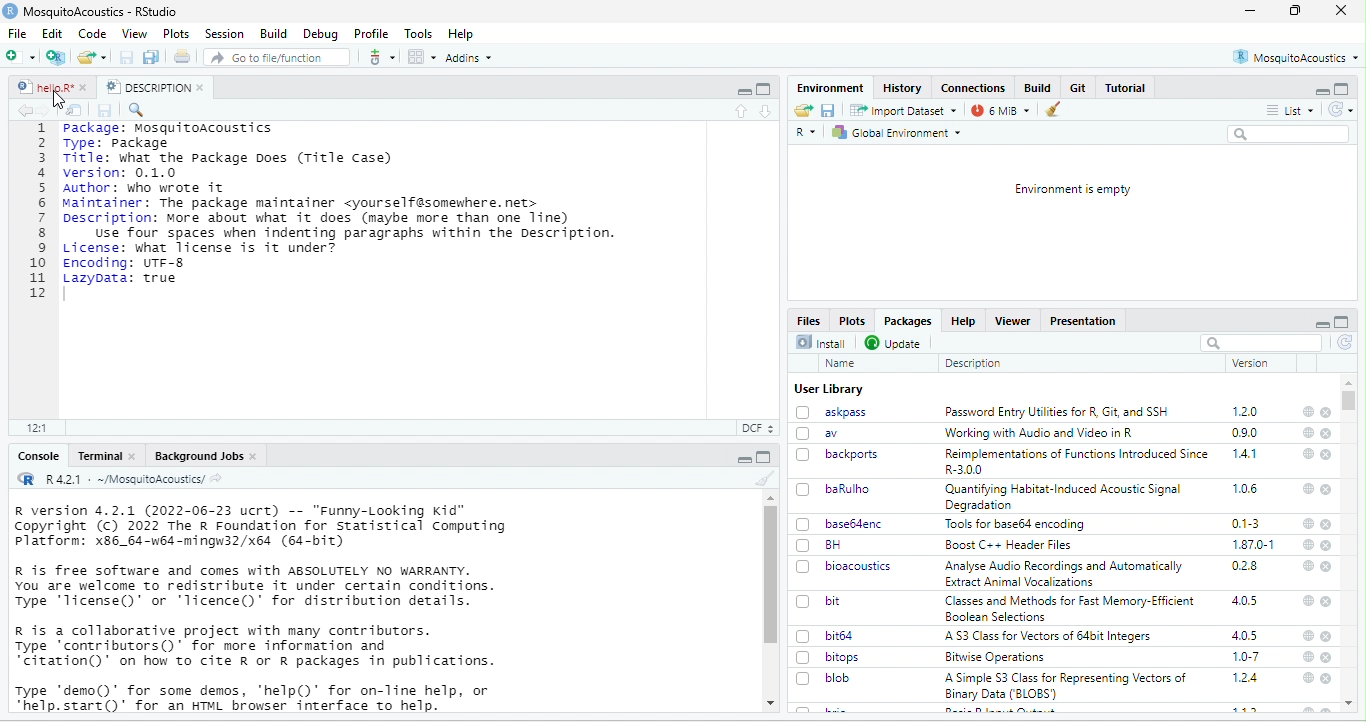  Describe the element at coordinates (152, 57) in the screenshot. I see `save all open documents` at that location.